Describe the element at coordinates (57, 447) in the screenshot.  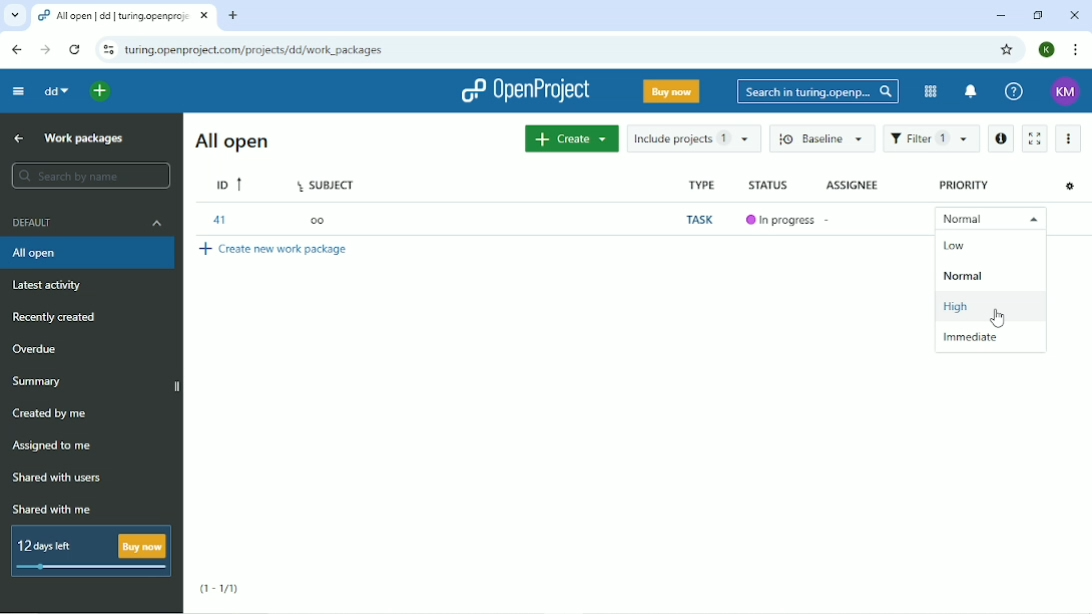
I see `Assigned to me` at that location.